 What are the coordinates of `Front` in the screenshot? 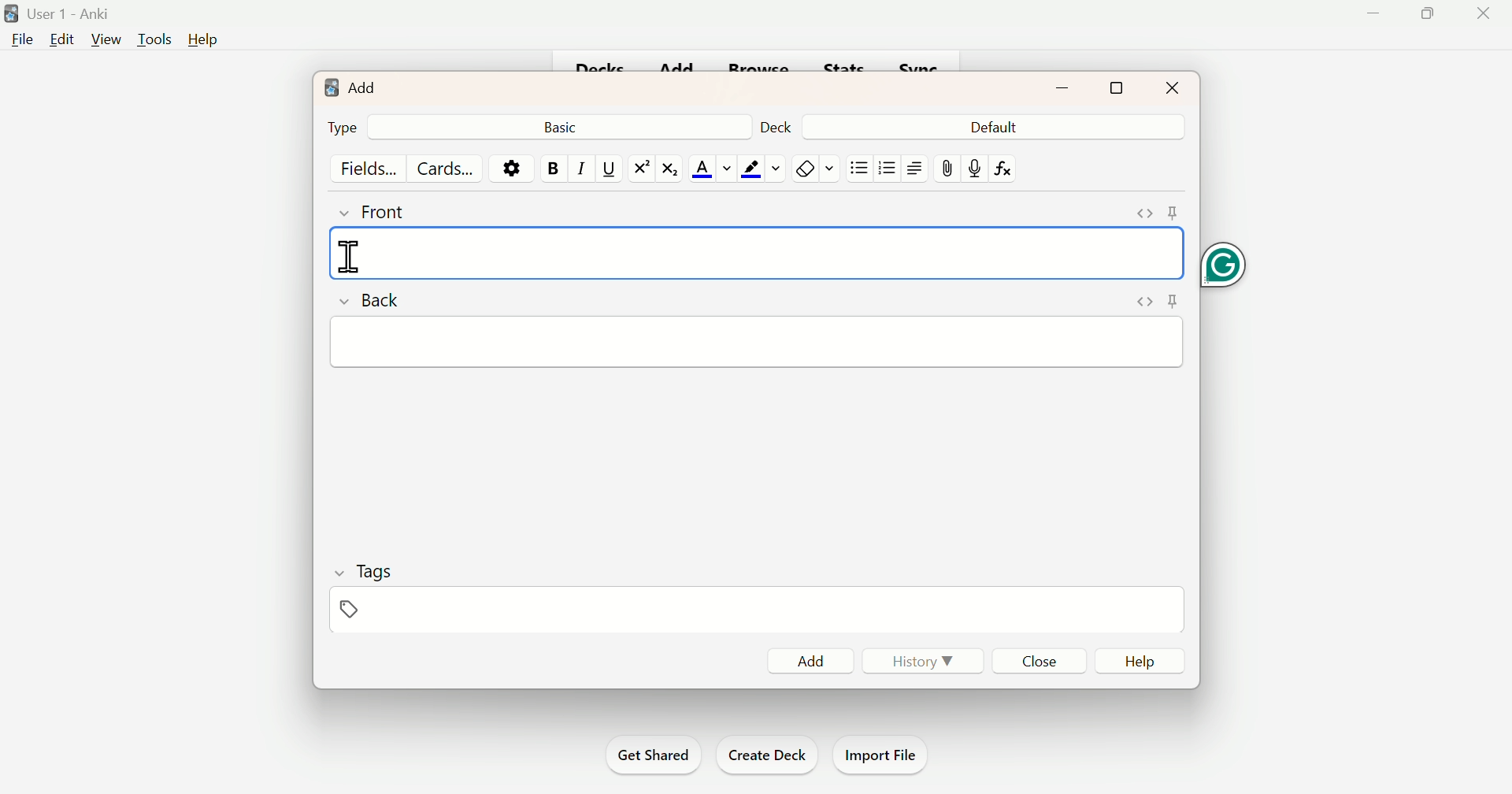 It's located at (387, 216).